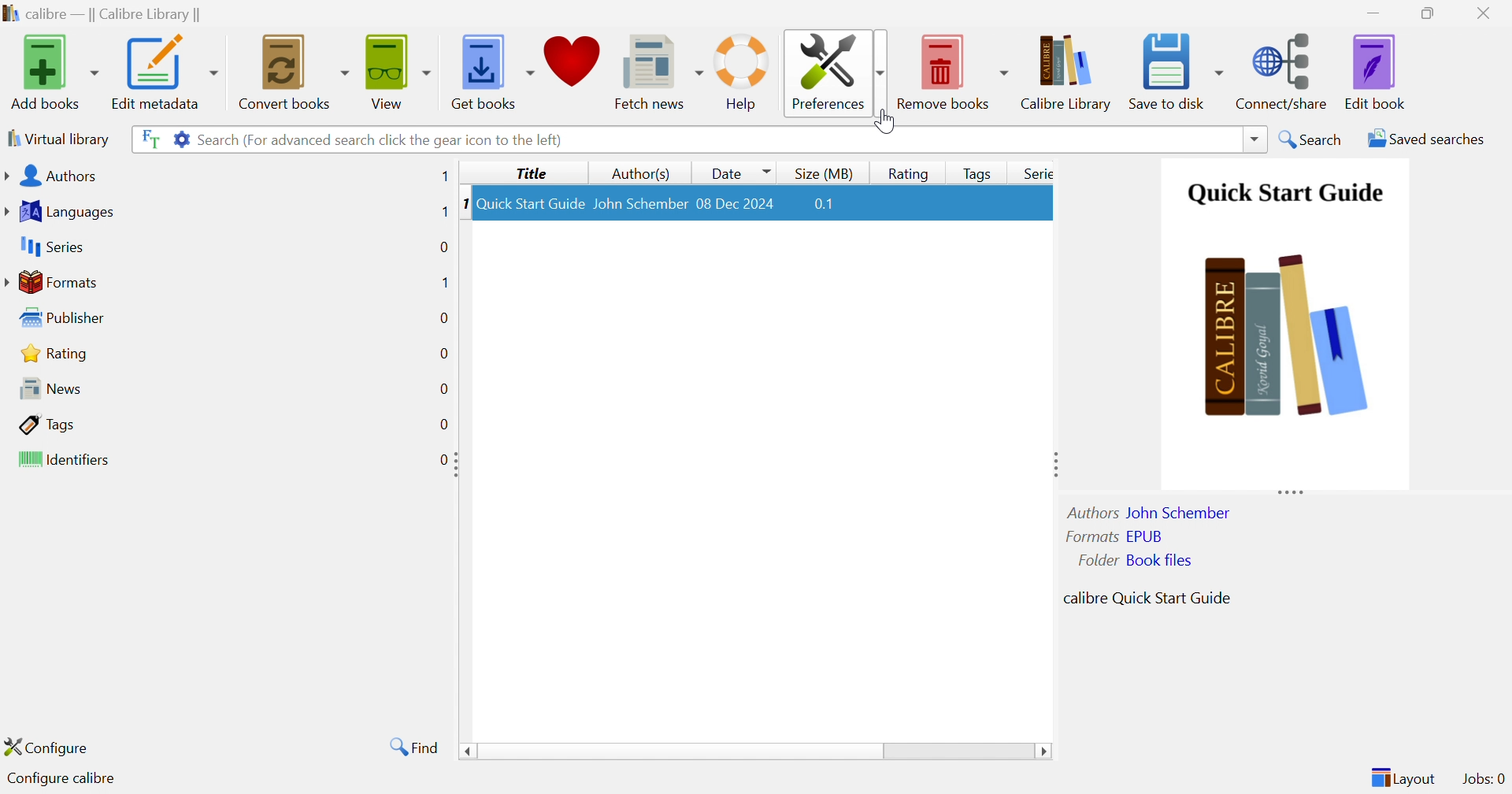 The width and height of the screenshot is (1512, 794). What do you see at coordinates (1425, 139) in the screenshot?
I see `Saved searches` at bounding box center [1425, 139].